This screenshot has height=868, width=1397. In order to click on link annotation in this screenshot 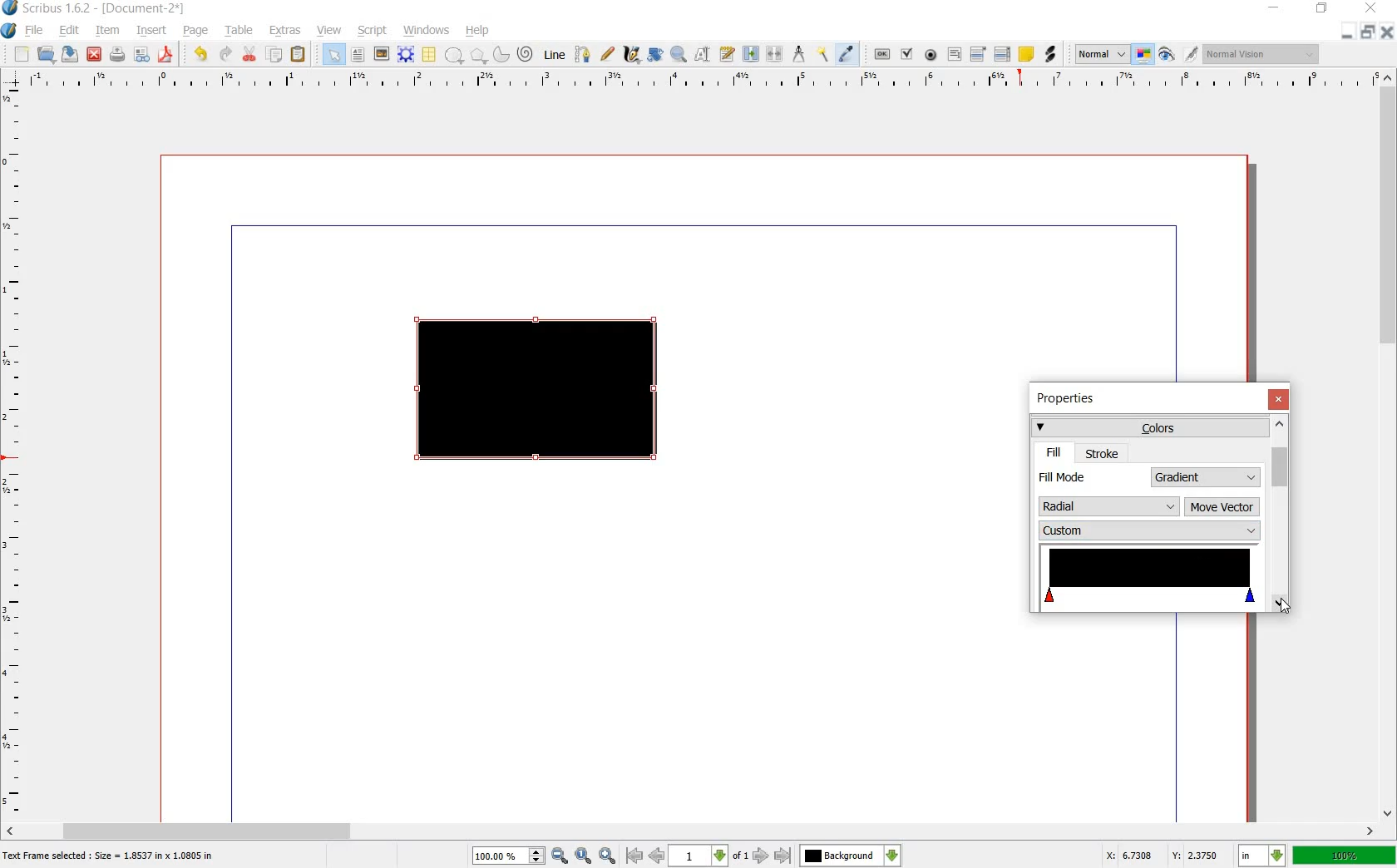, I will do `click(1049, 55)`.